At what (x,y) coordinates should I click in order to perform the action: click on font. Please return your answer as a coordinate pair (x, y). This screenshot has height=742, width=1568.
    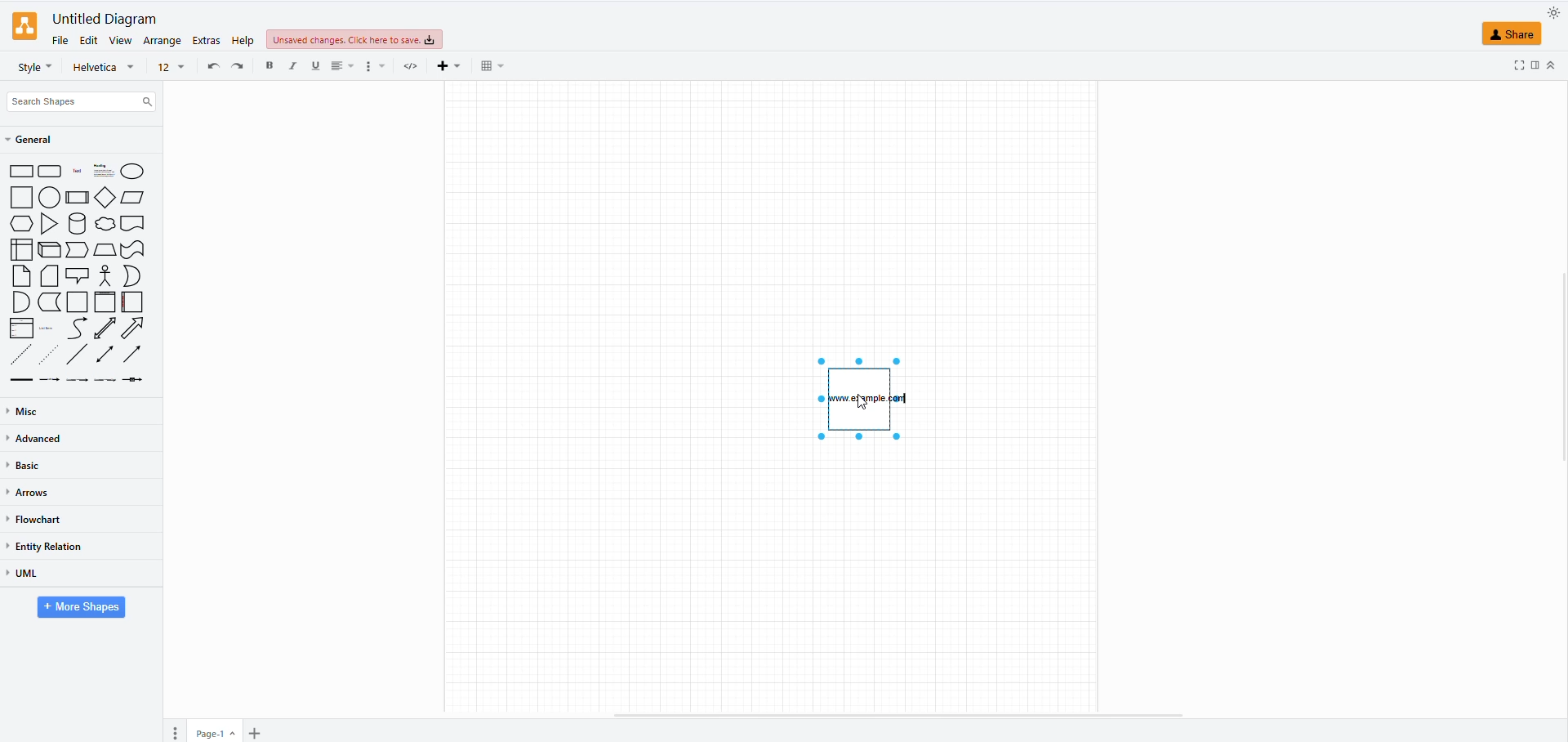
    Looking at the image, I should click on (104, 67).